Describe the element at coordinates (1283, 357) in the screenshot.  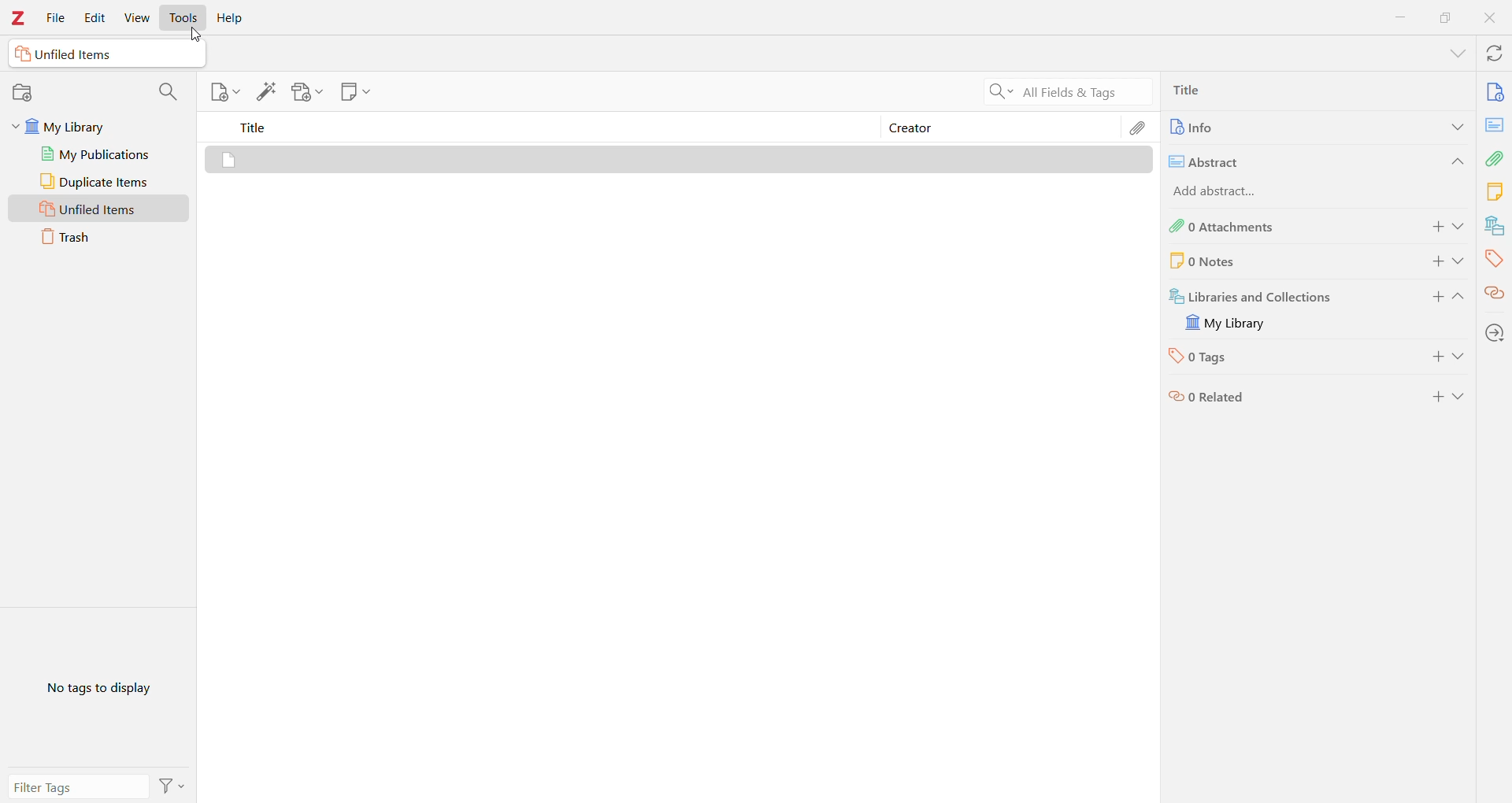
I see `` at that location.